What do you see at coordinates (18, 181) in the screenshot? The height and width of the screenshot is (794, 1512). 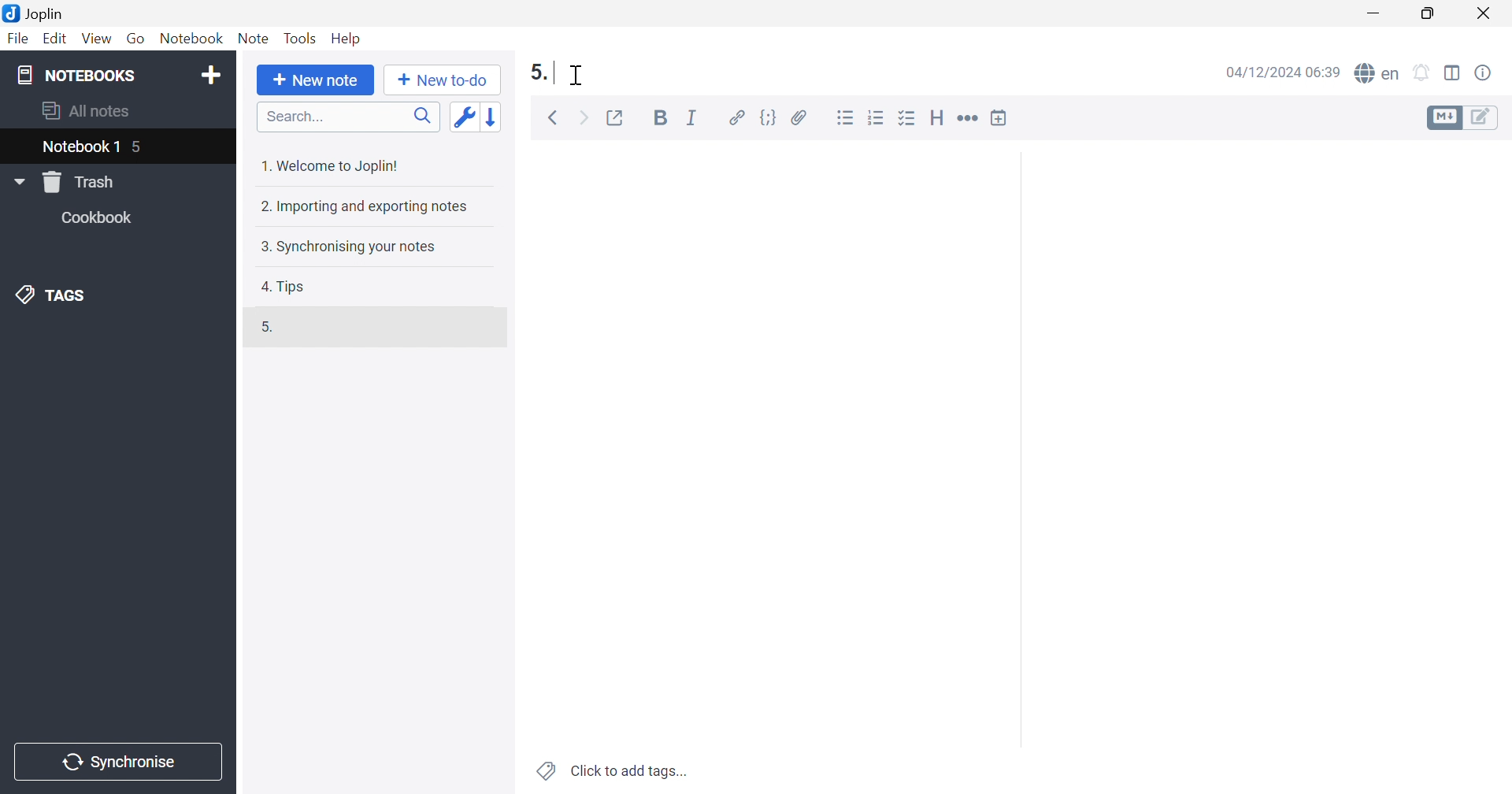 I see `Drop Down` at bounding box center [18, 181].